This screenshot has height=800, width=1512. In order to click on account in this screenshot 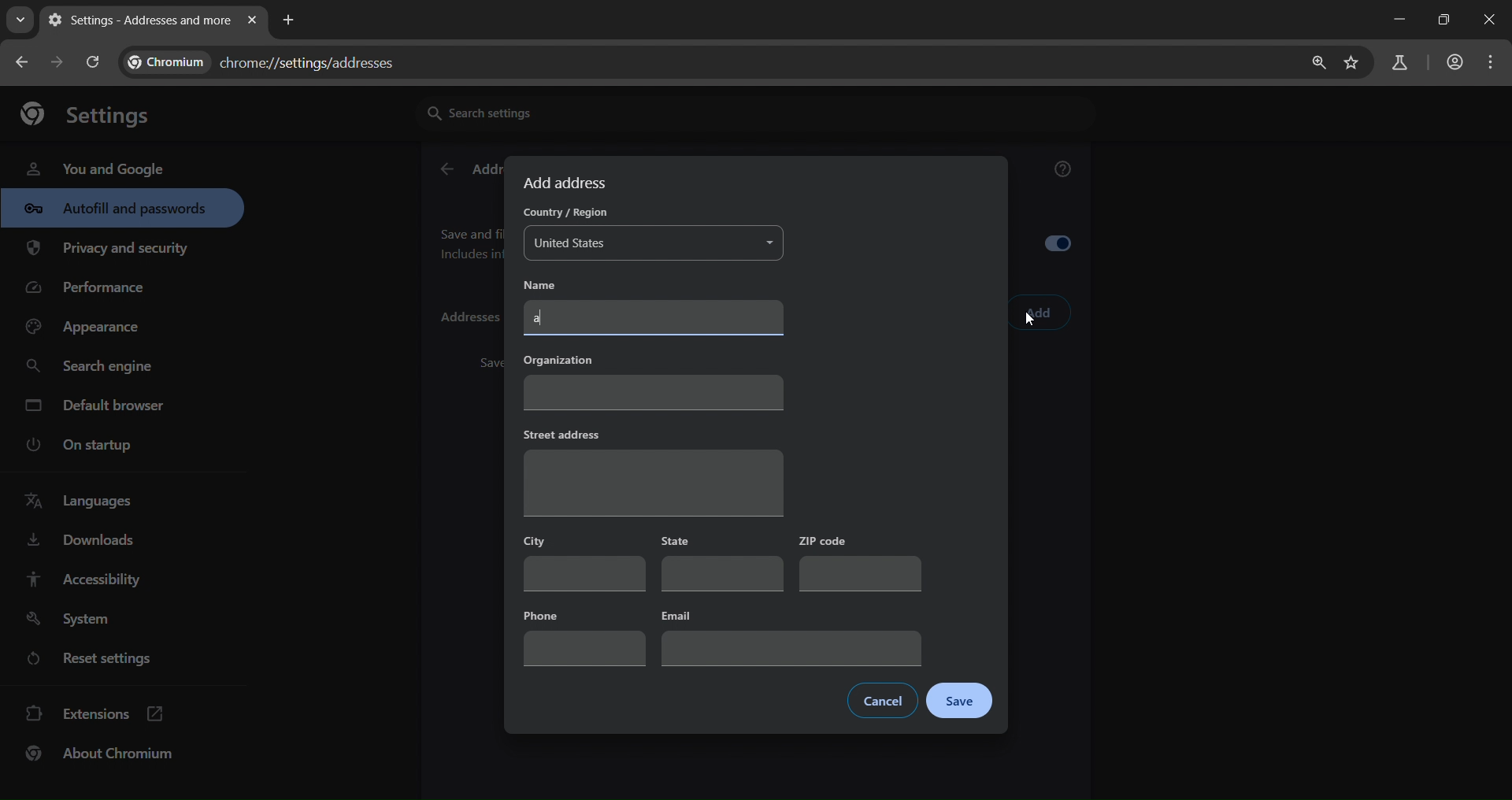, I will do `click(1452, 64)`.